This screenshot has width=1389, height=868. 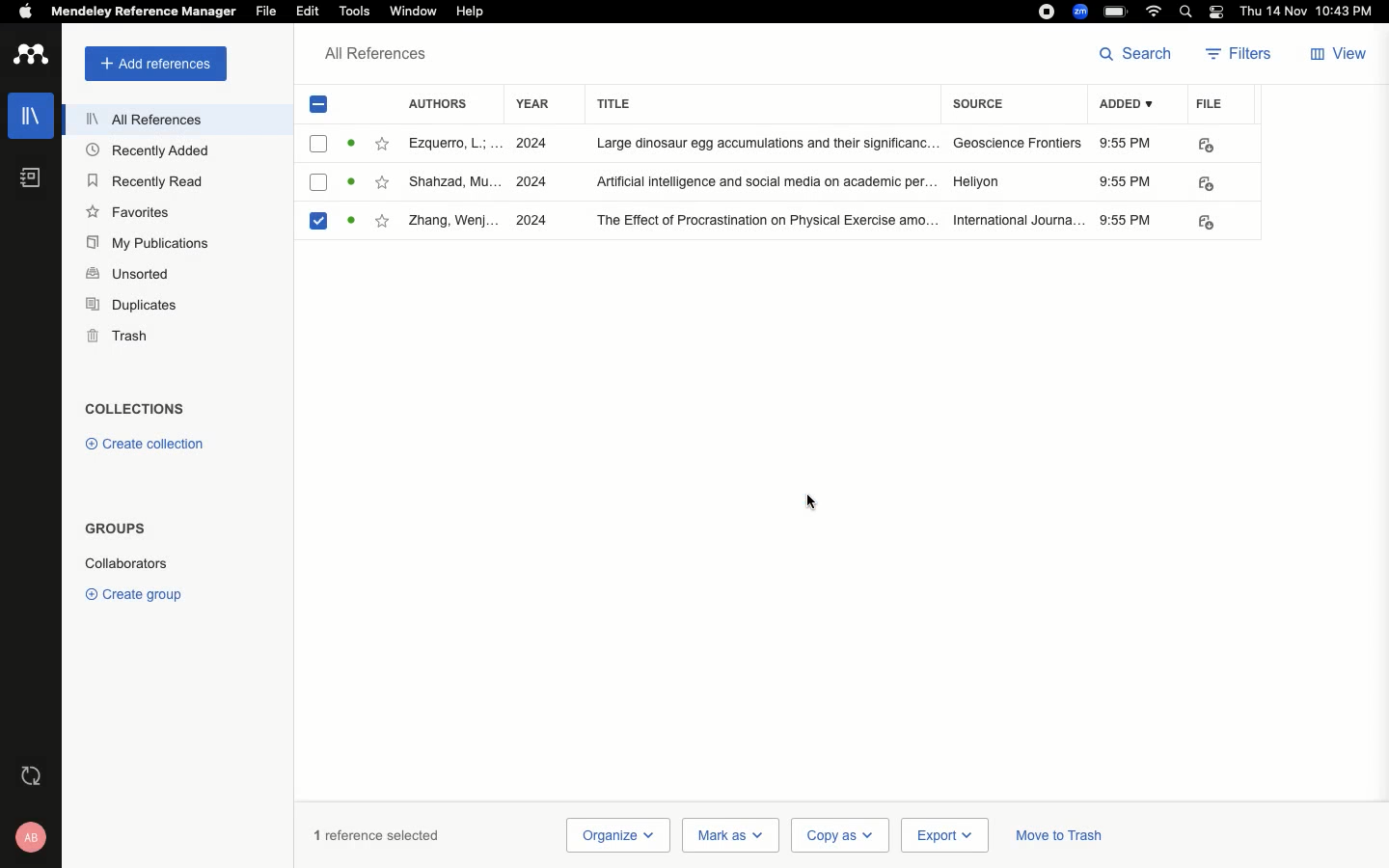 I want to click on 9:55 PM, so click(x=1127, y=143).